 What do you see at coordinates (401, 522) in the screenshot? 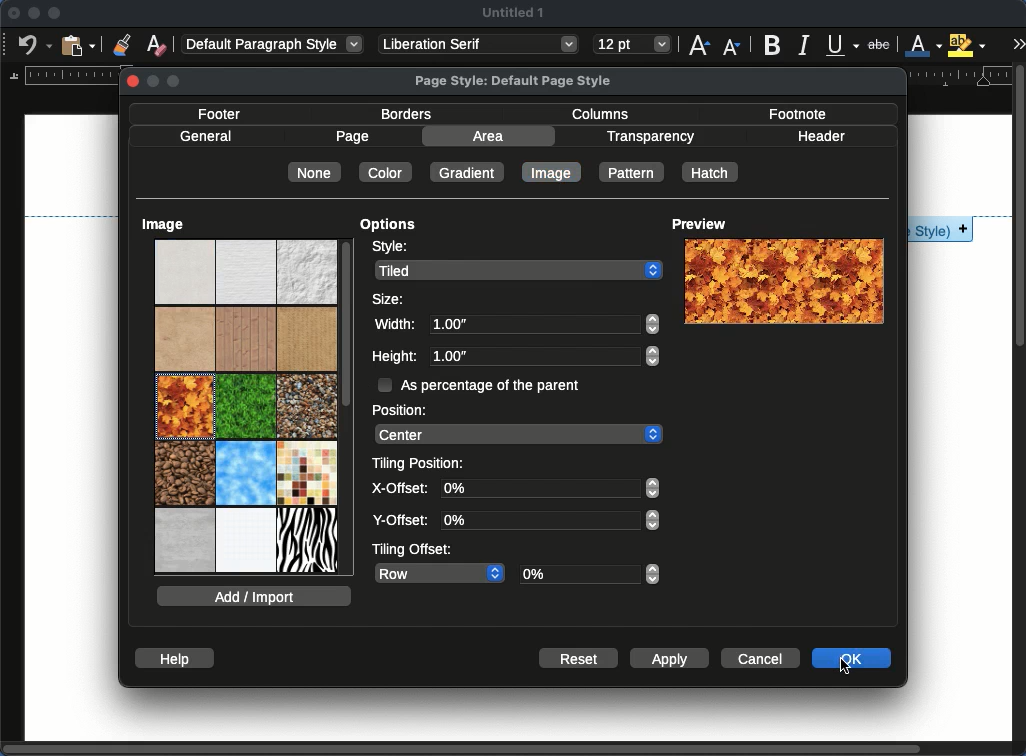
I see `y-offset:` at bounding box center [401, 522].